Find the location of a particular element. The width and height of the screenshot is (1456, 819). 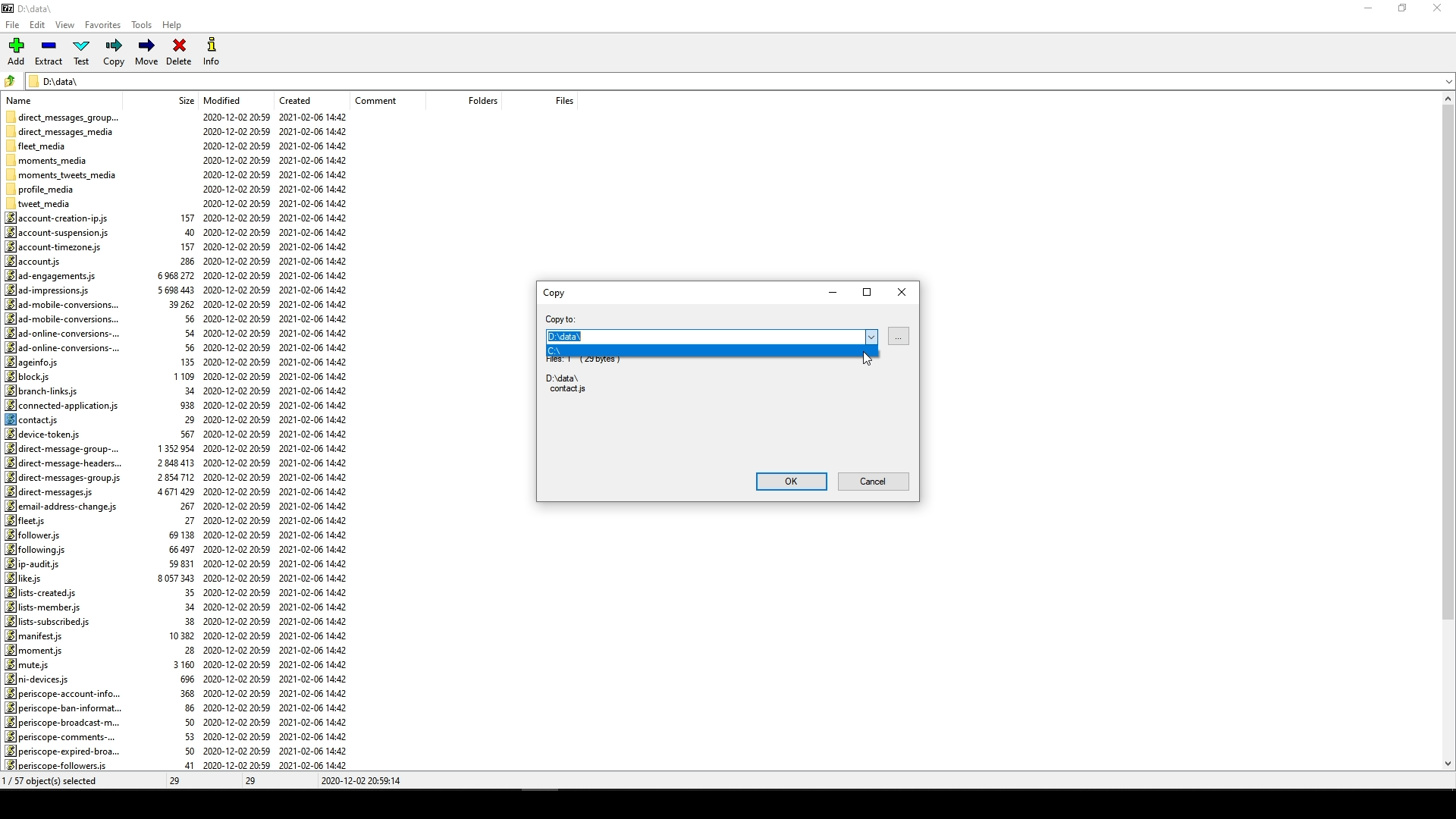

browse is located at coordinates (899, 336).